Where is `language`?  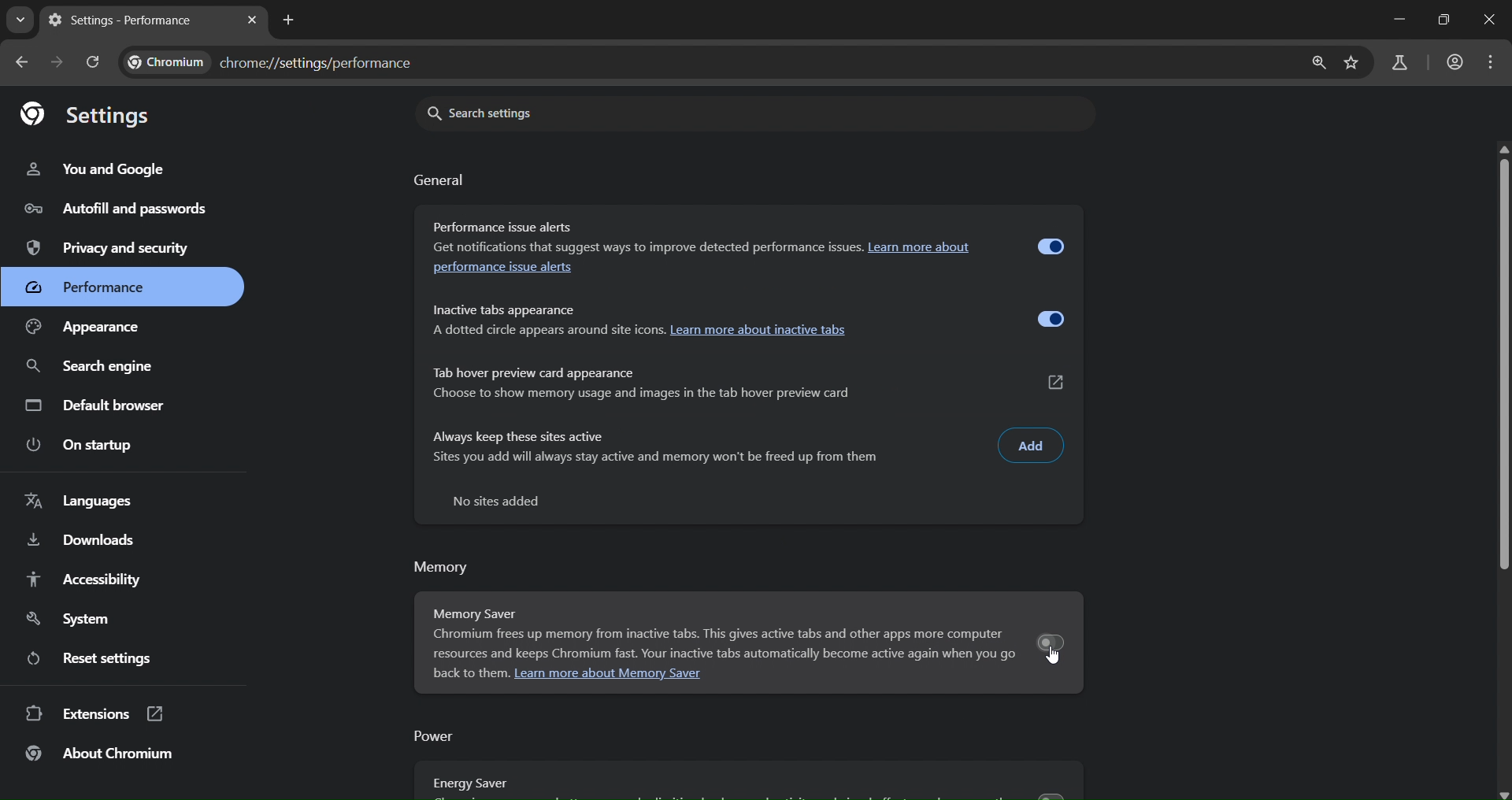 language is located at coordinates (83, 504).